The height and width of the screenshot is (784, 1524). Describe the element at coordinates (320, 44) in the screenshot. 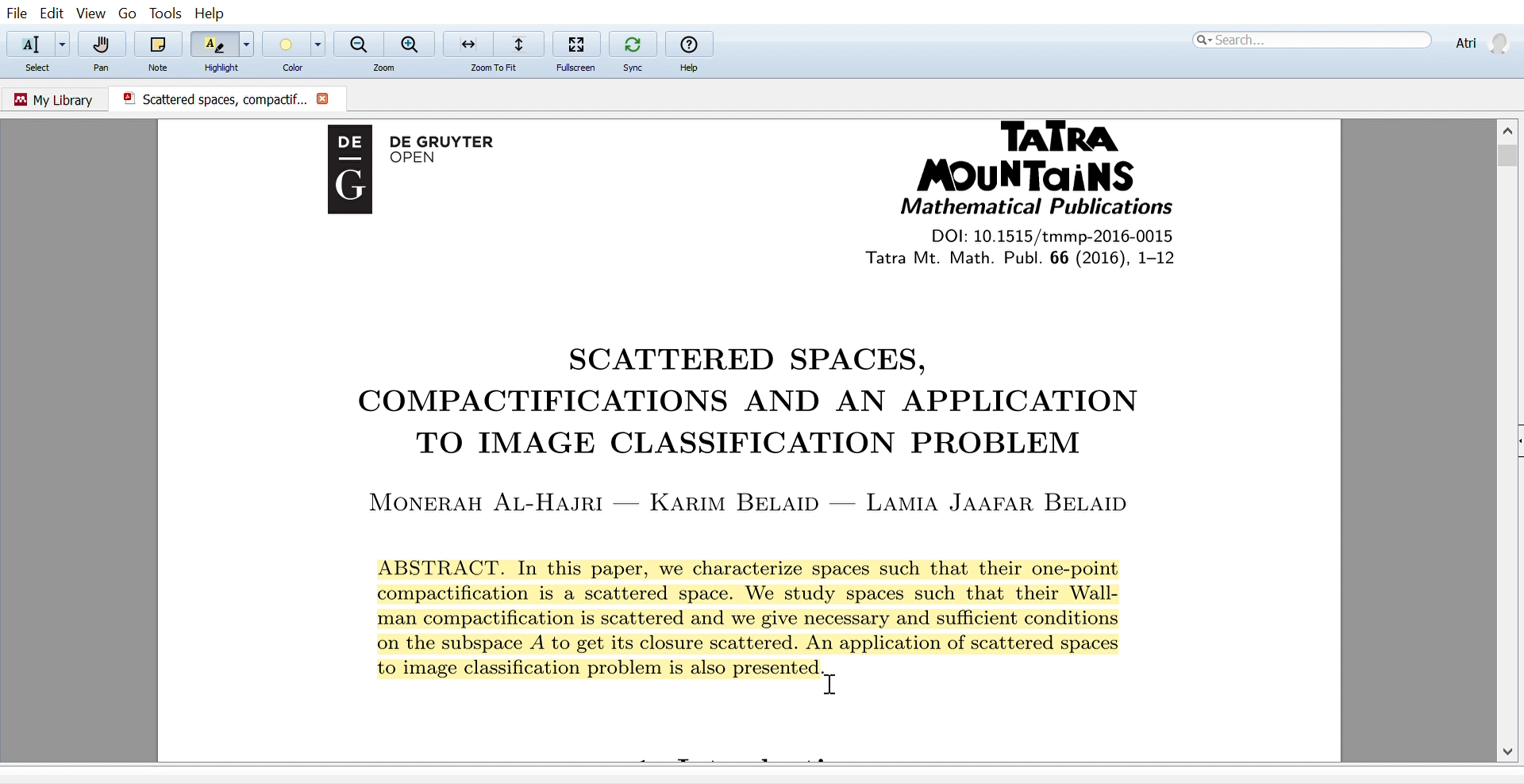

I see `Color options` at that location.